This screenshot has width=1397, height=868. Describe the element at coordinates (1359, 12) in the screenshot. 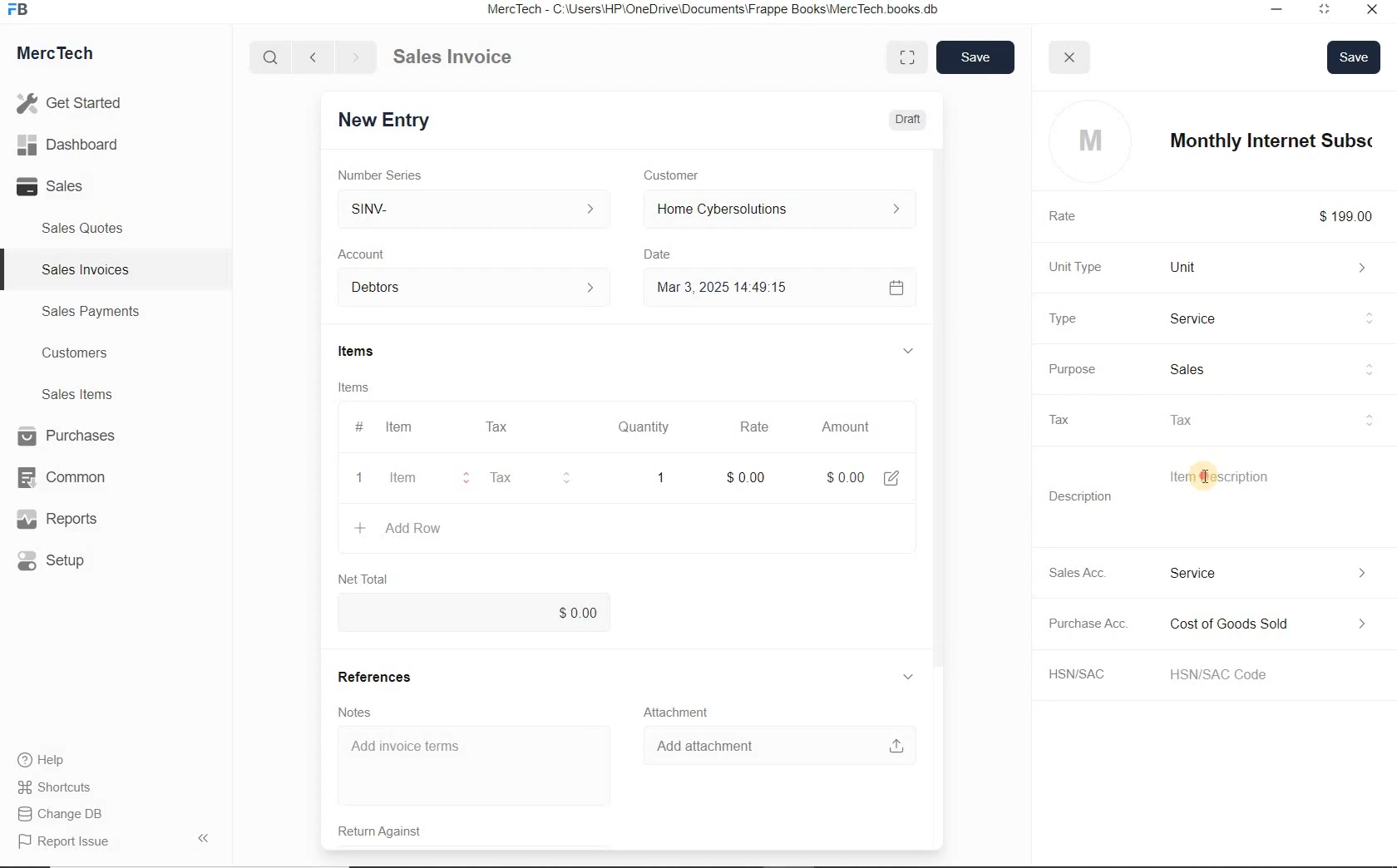

I see `Close` at that location.